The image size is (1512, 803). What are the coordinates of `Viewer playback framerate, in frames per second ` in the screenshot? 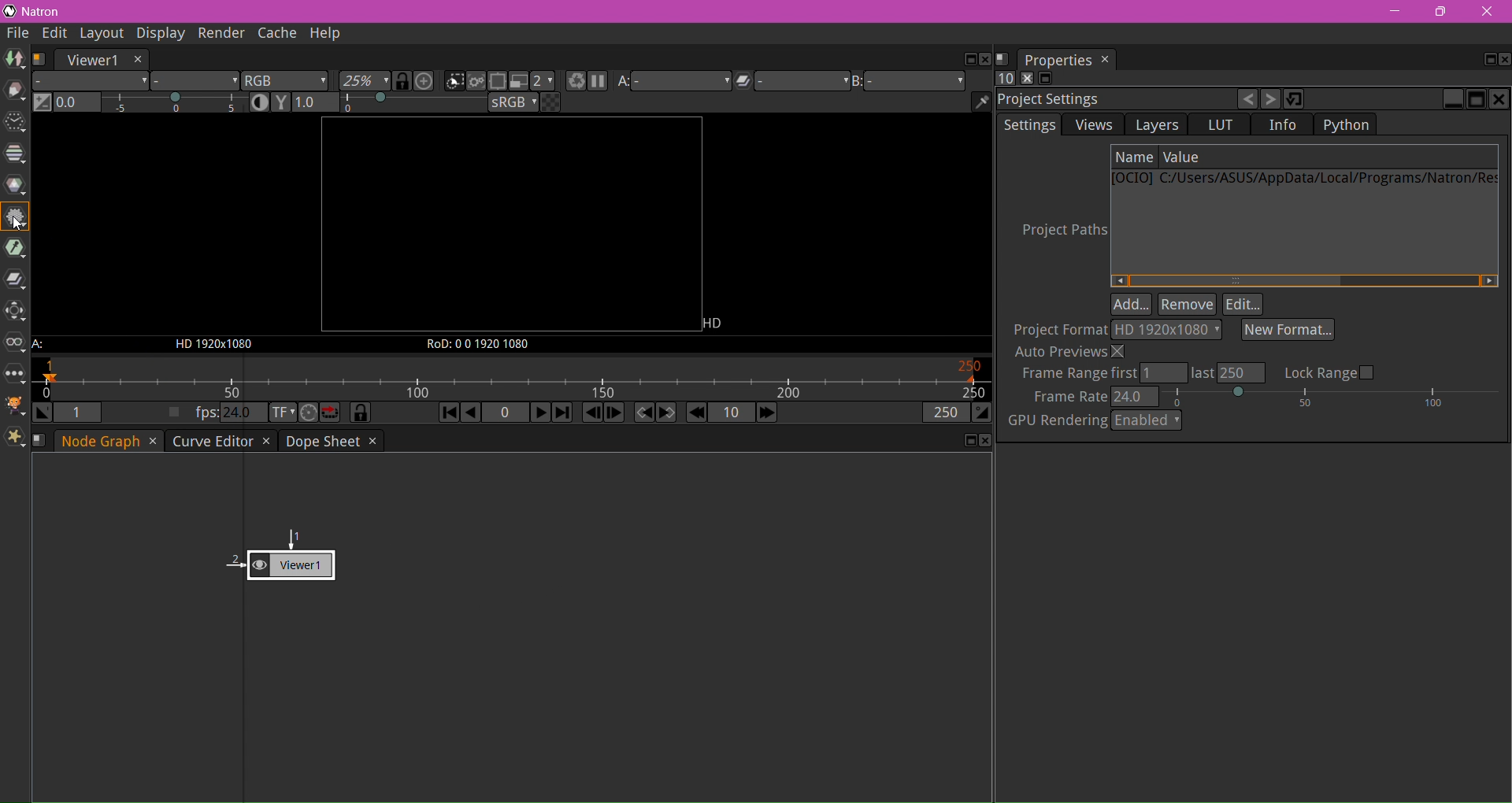 It's located at (228, 413).